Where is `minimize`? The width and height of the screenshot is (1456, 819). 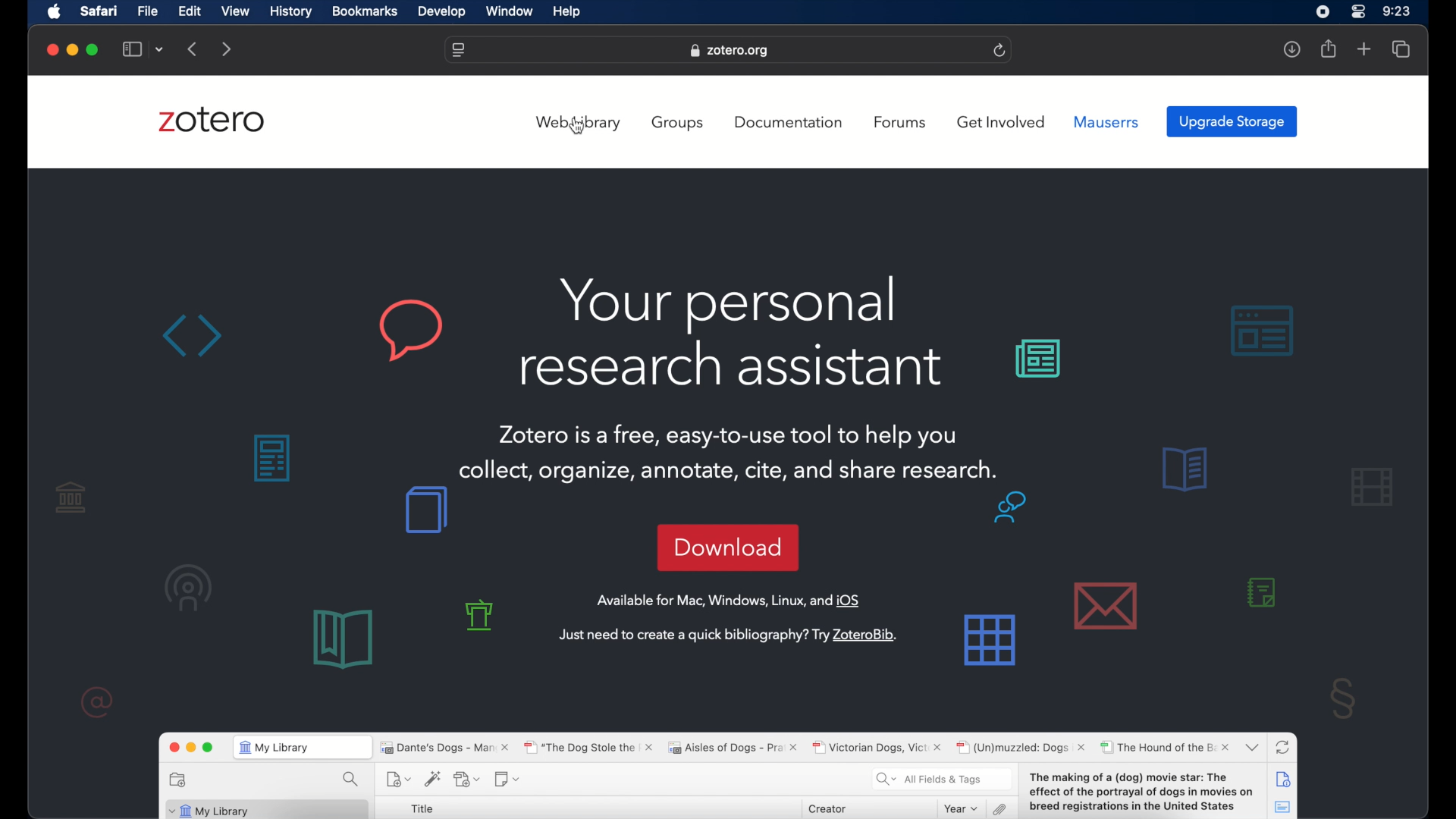
minimize is located at coordinates (71, 50).